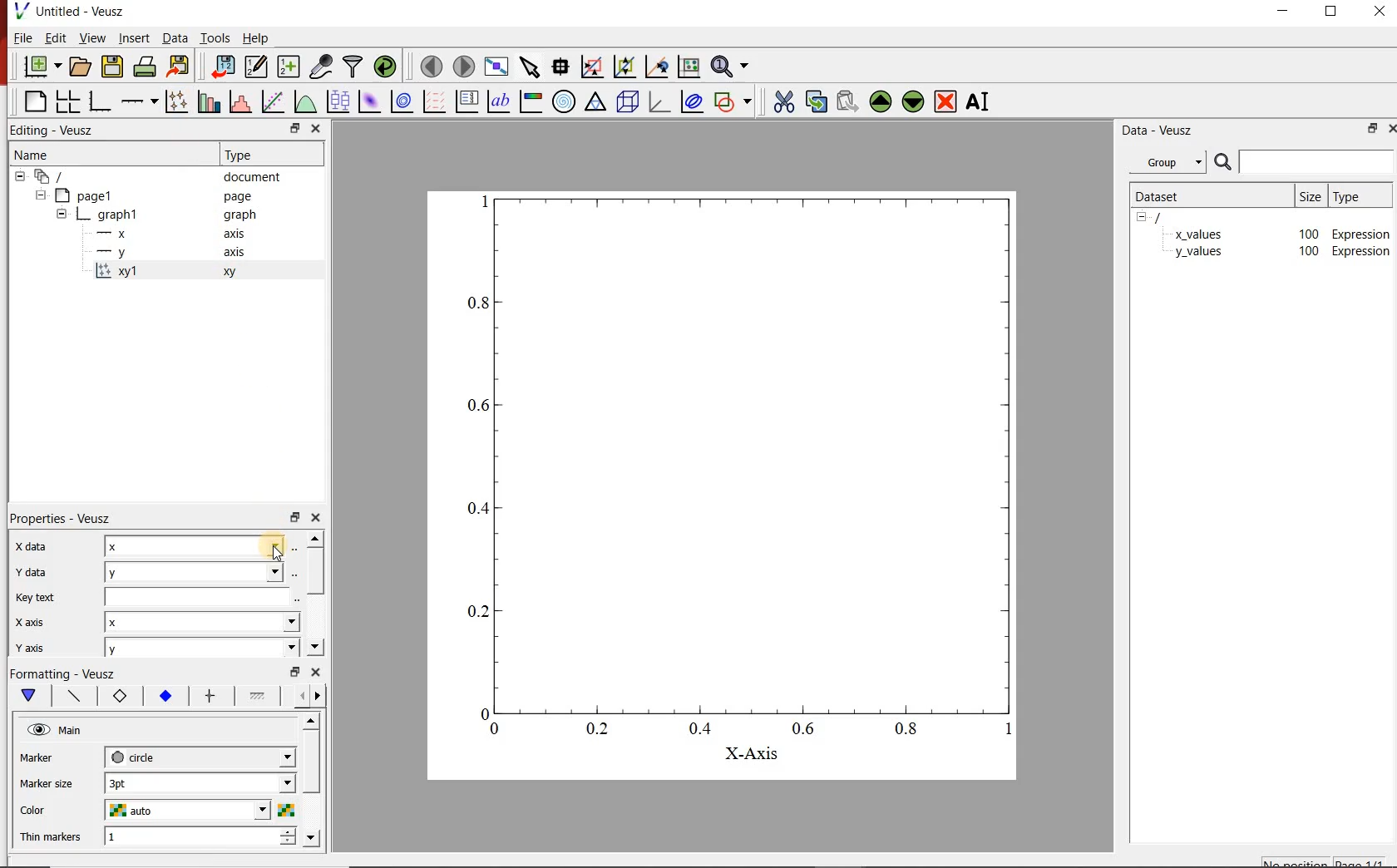  Describe the element at coordinates (81, 11) in the screenshot. I see `Untitled - Veusz` at that location.